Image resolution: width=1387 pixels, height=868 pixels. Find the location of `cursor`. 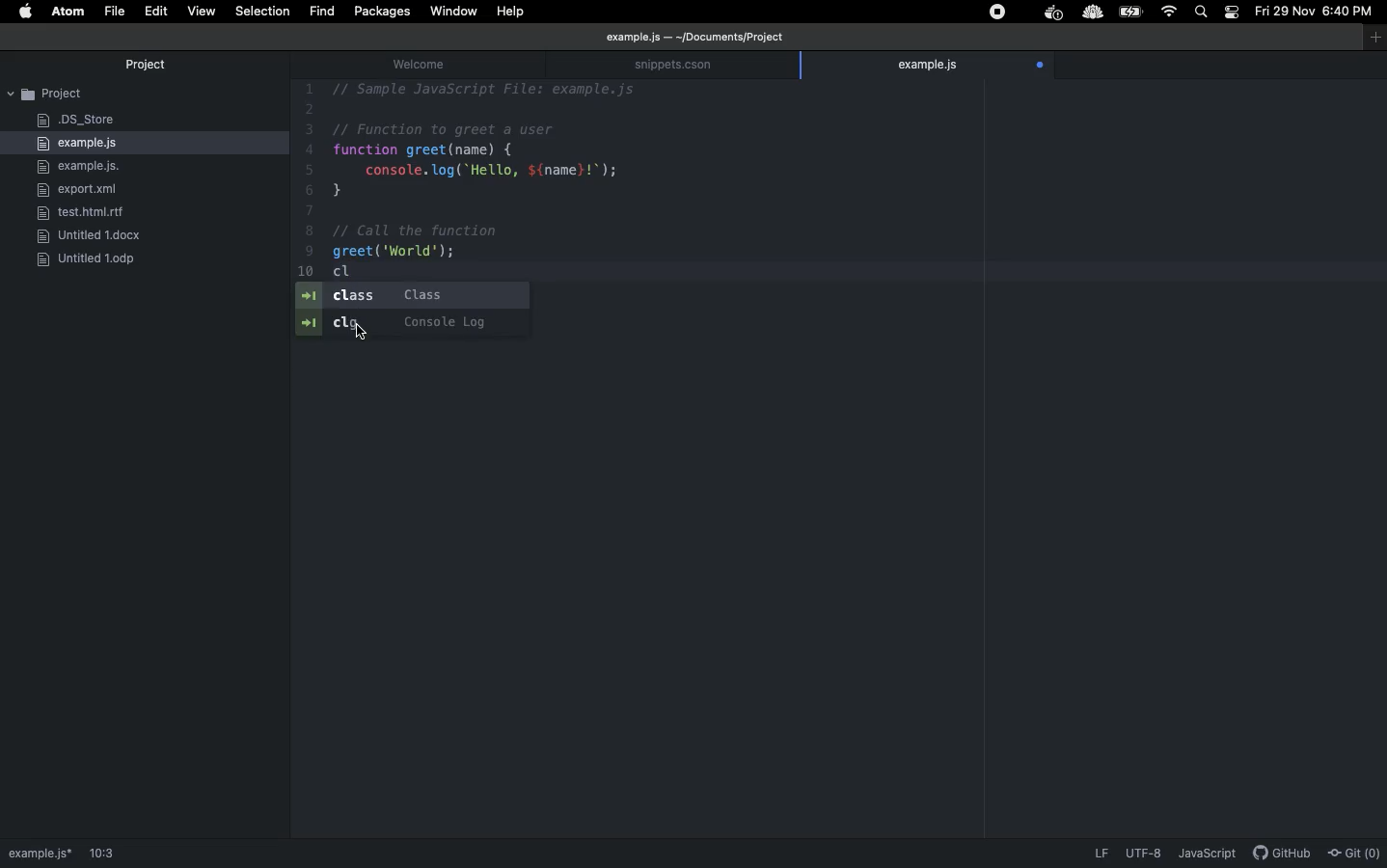

cursor is located at coordinates (361, 332).